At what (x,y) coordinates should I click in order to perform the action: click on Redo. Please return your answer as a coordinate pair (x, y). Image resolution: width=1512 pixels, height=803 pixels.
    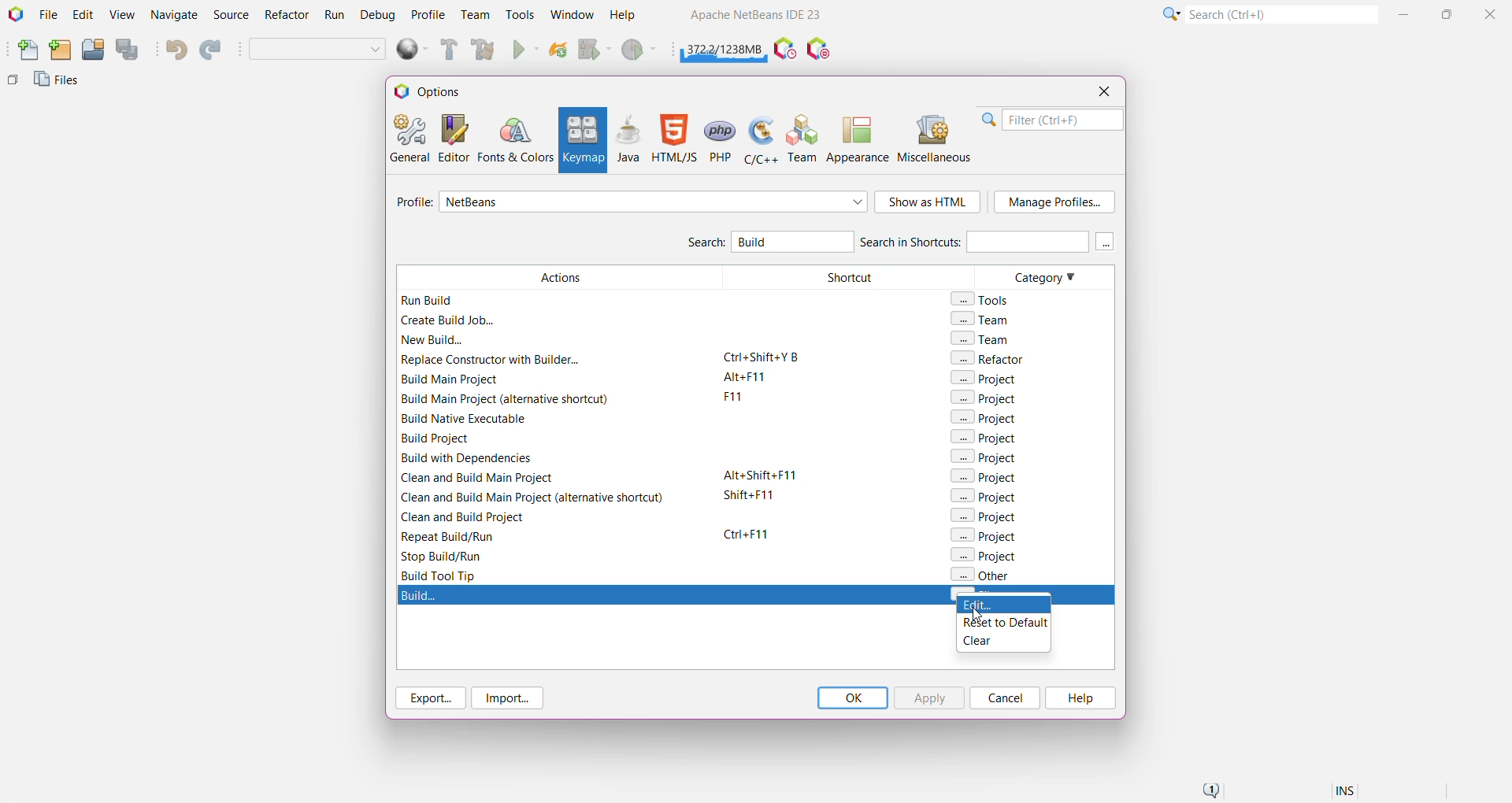
    Looking at the image, I should click on (213, 50).